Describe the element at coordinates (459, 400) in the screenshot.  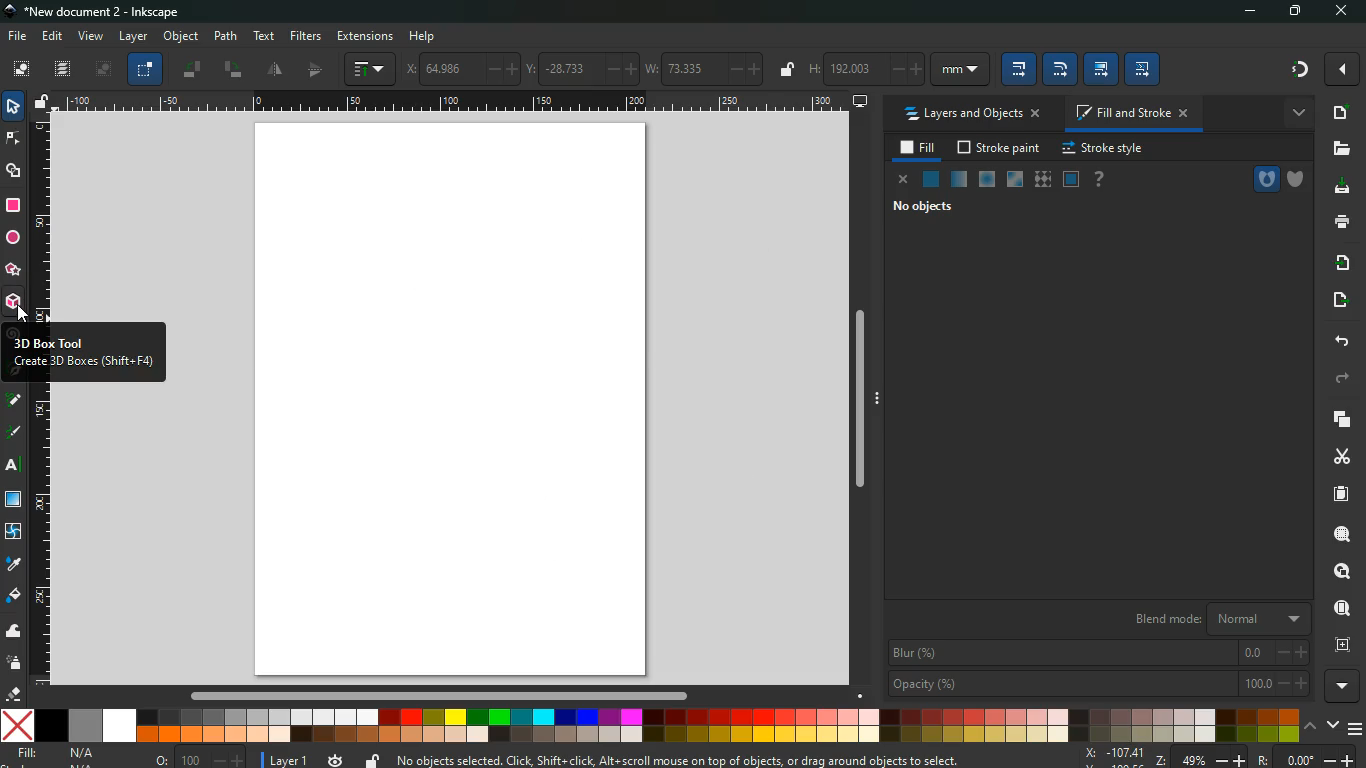
I see `image` at that location.